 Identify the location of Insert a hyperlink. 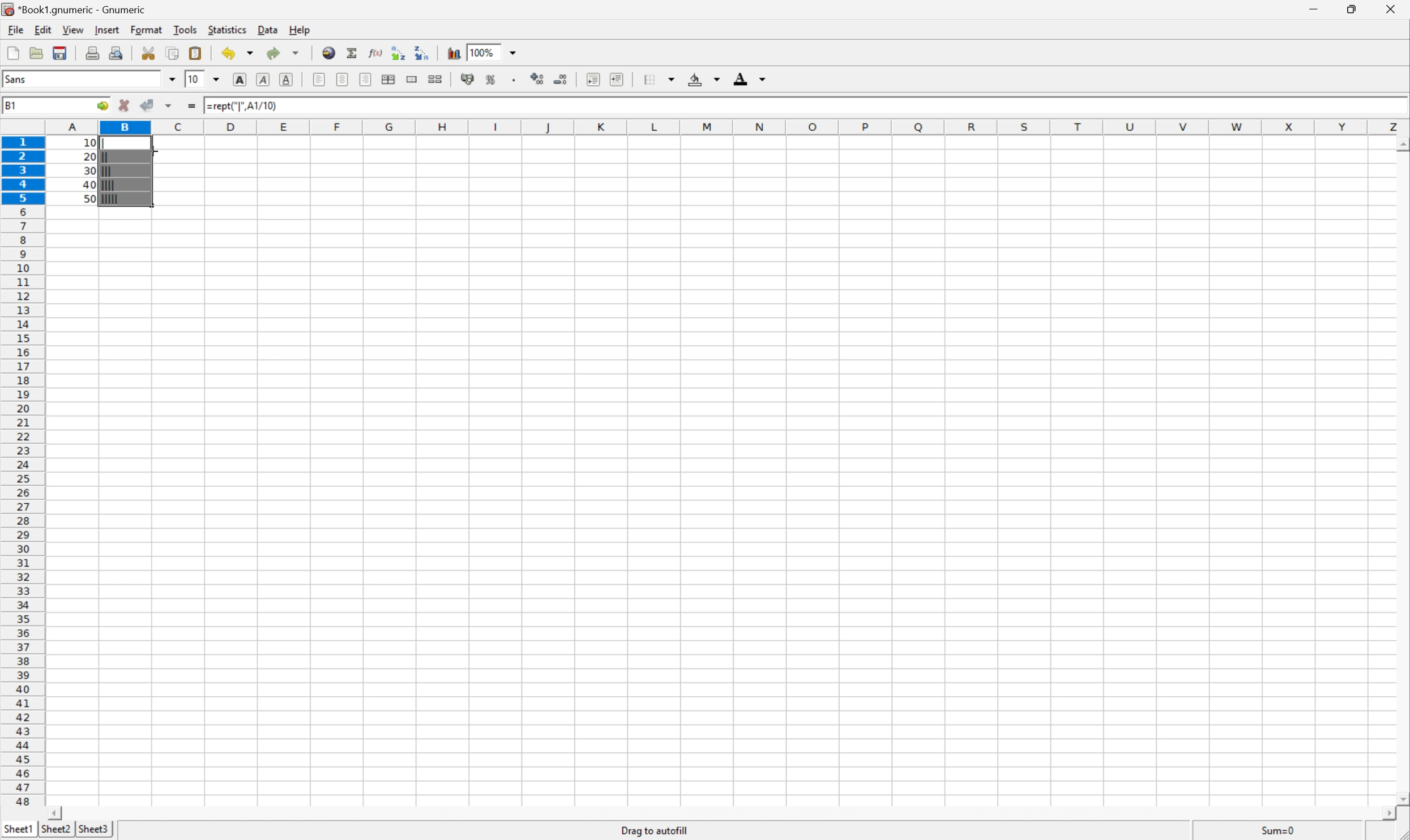
(330, 53).